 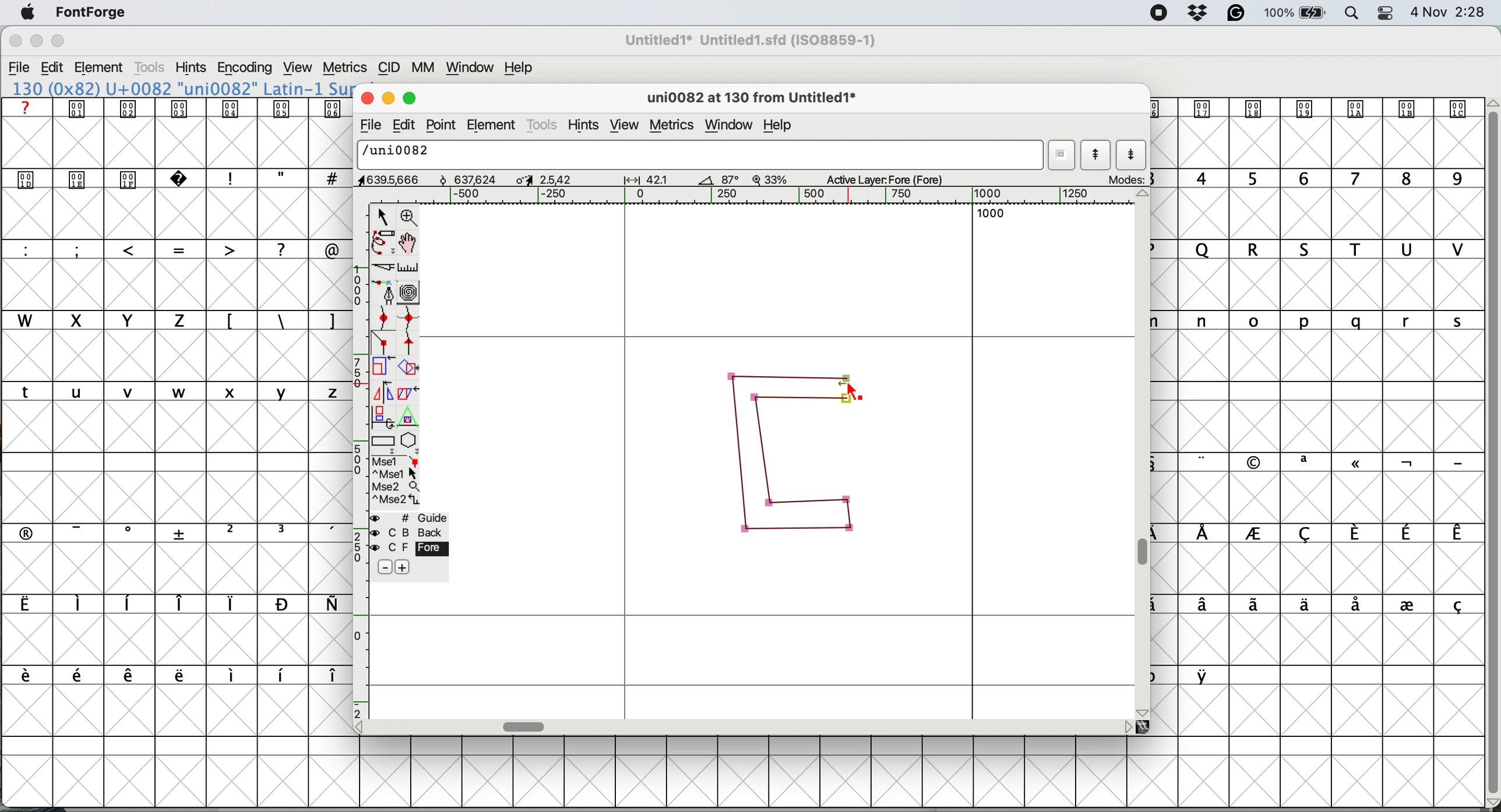 What do you see at coordinates (181, 676) in the screenshot?
I see `symbols` at bounding box center [181, 676].